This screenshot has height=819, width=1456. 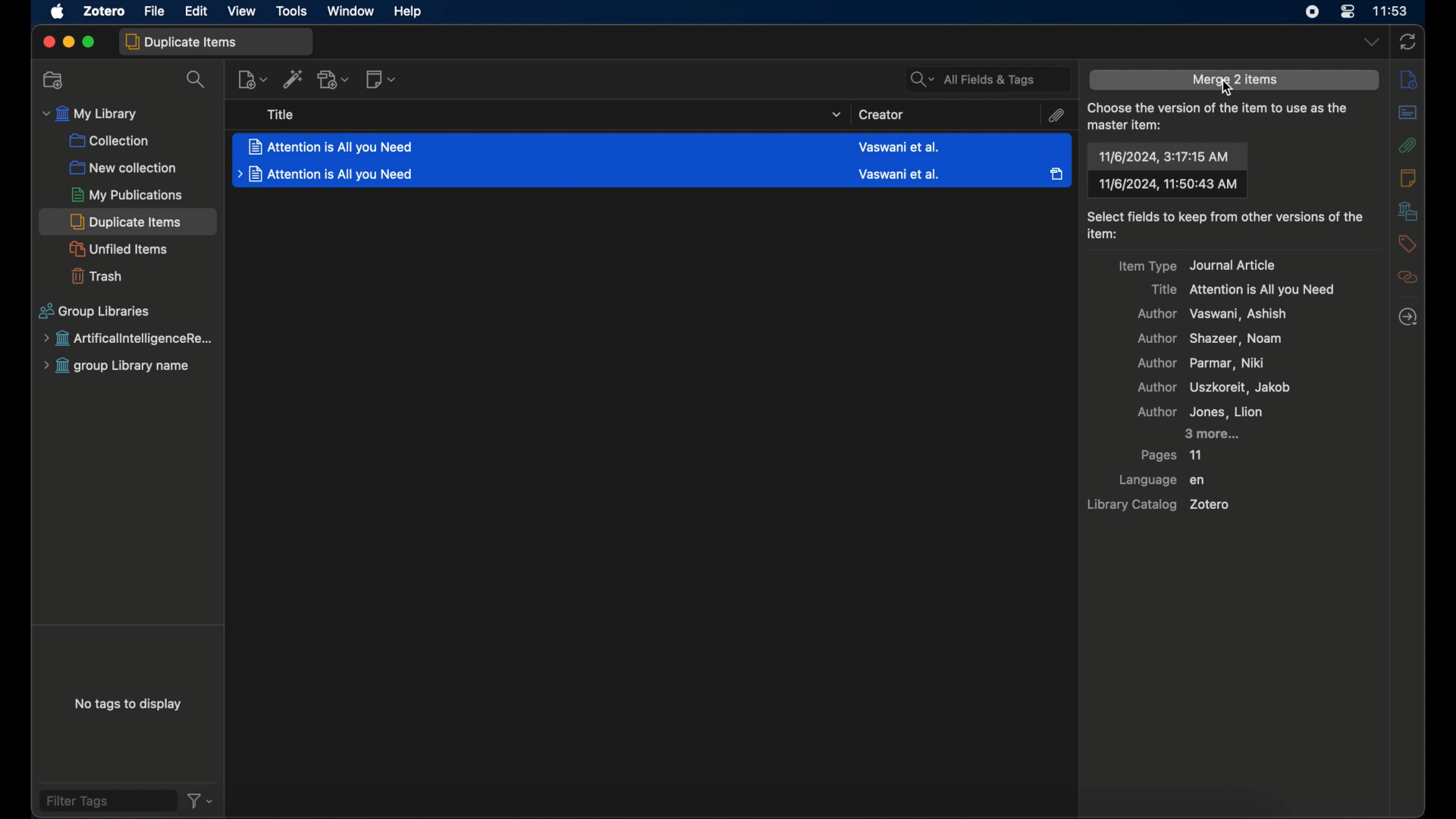 I want to click on pages 11, so click(x=1175, y=456).